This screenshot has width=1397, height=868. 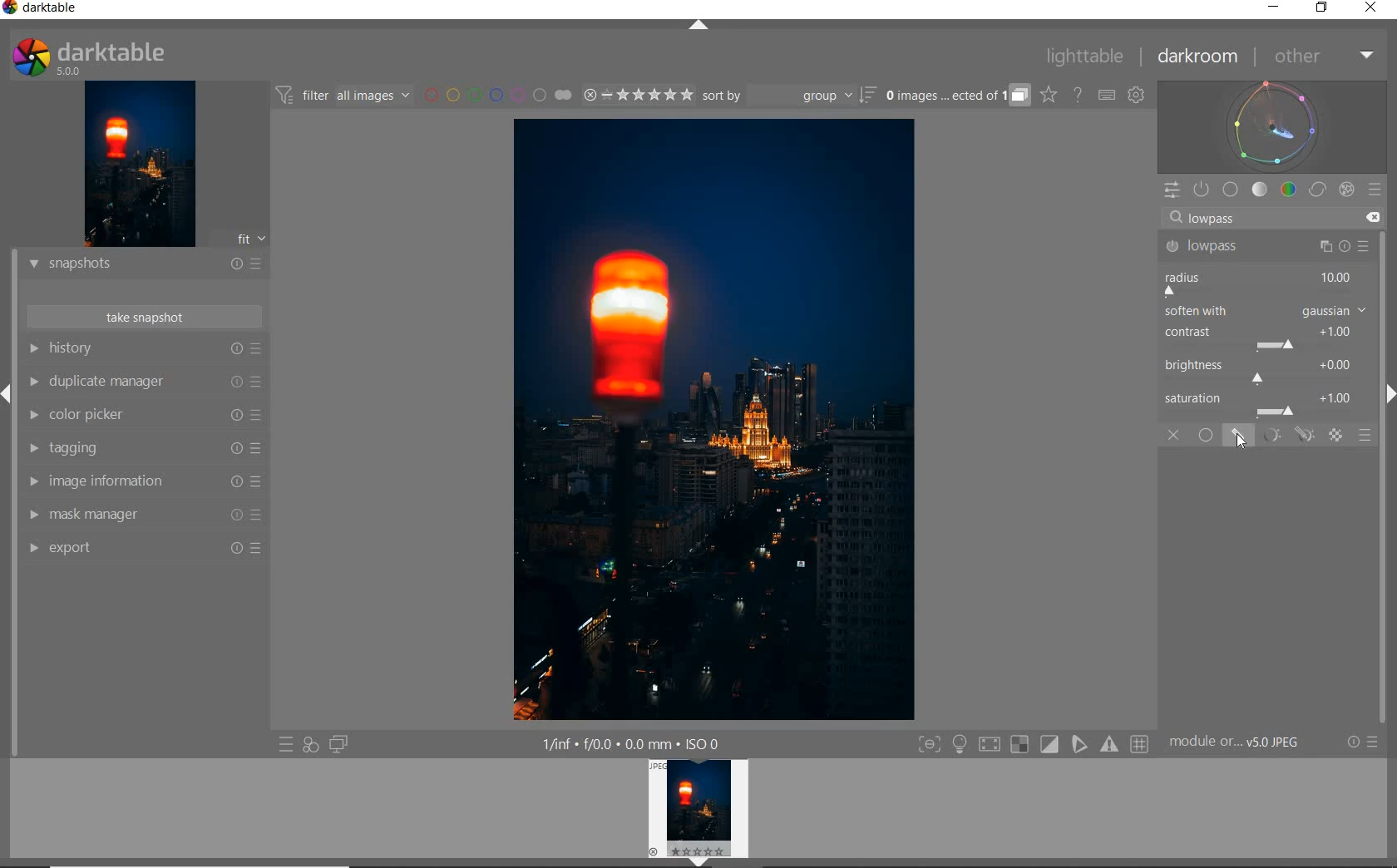 I want to click on CONTRAST, so click(x=1263, y=339).